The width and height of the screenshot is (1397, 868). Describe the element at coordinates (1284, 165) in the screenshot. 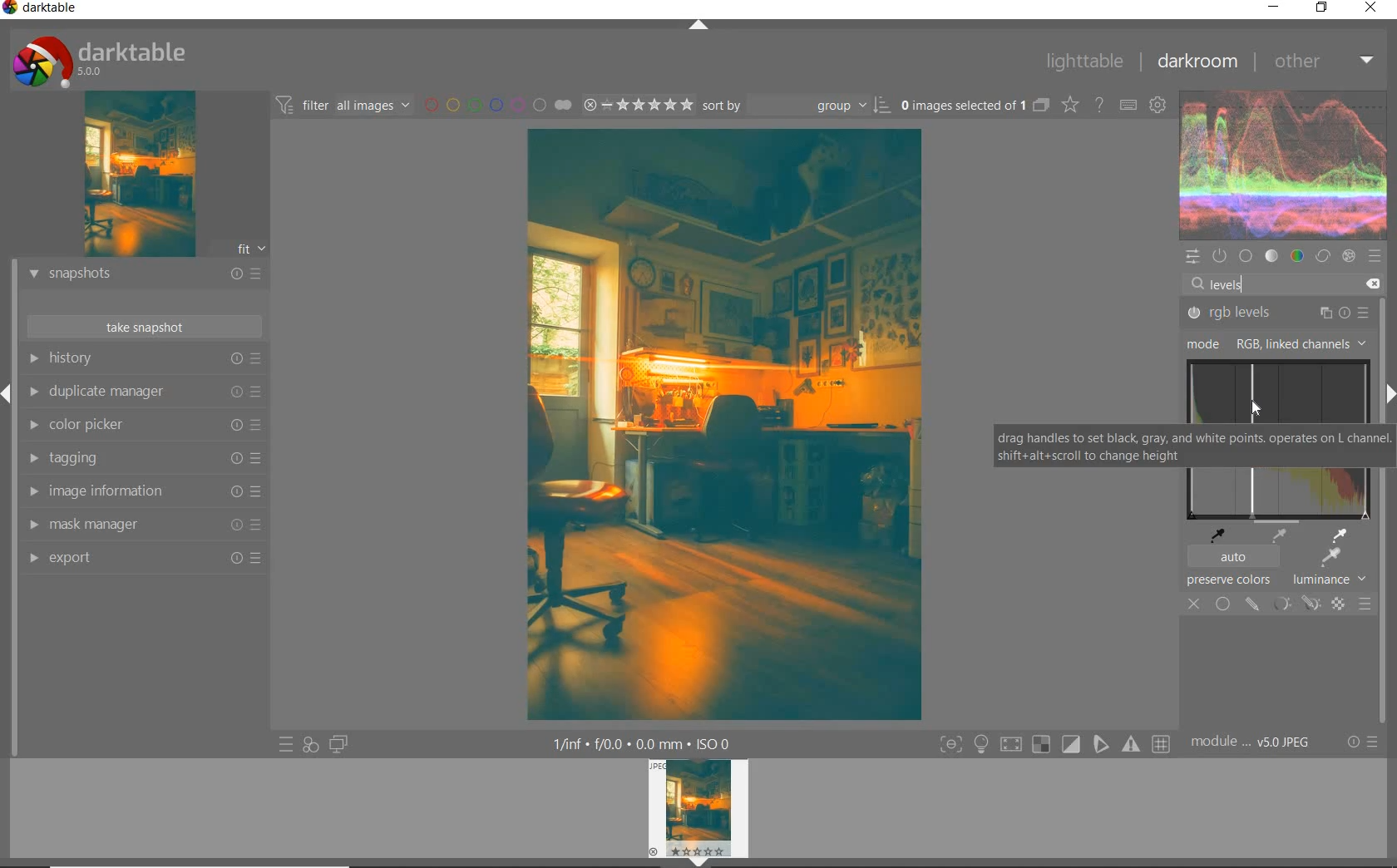

I see `waveform` at that location.